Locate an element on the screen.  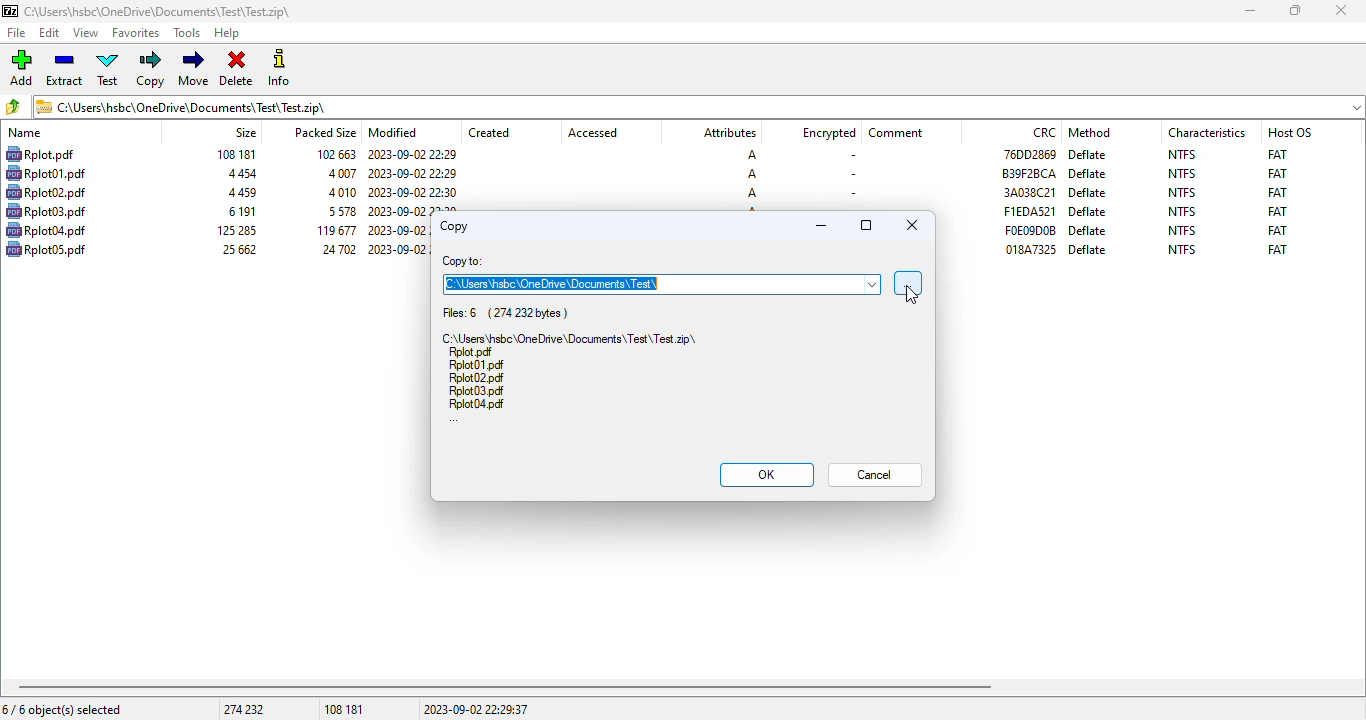
files: 6 (274 232 bytes) is located at coordinates (507, 313).